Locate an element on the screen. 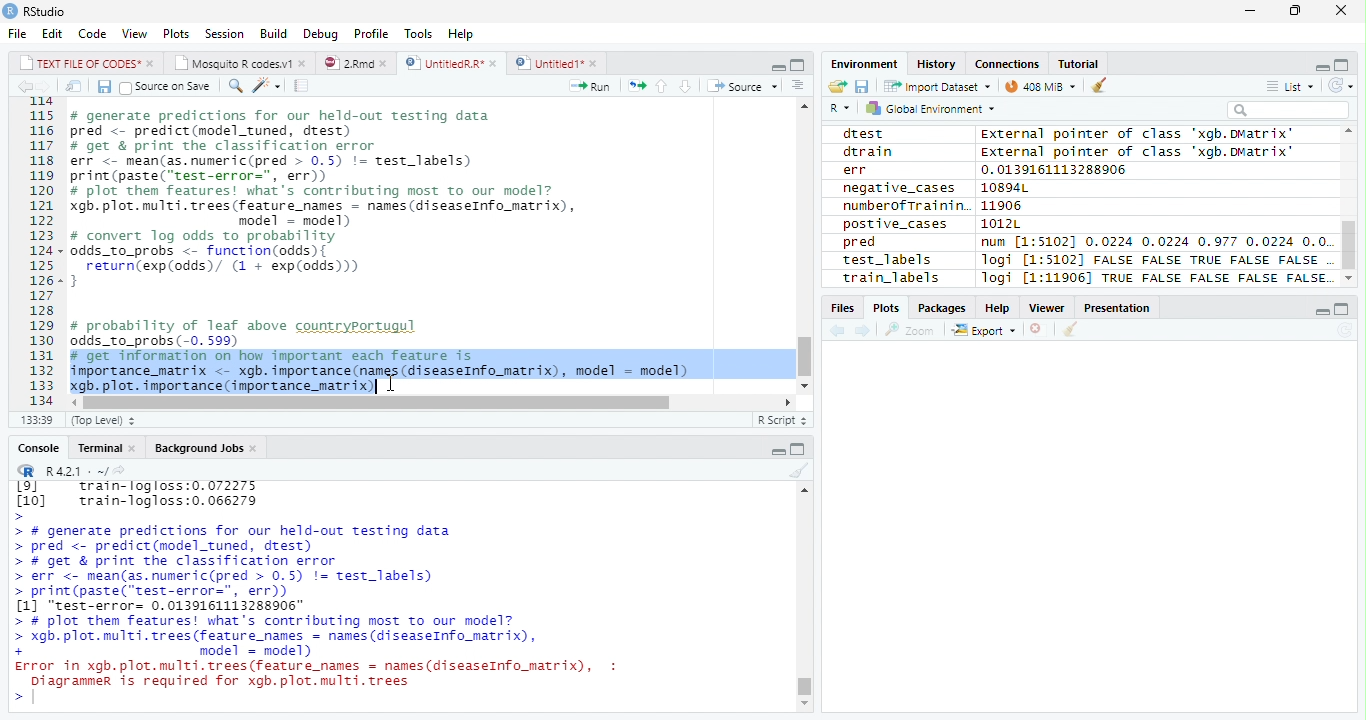 The width and height of the screenshot is (1366, 720). Cursor is located at coordinates (392, 383).